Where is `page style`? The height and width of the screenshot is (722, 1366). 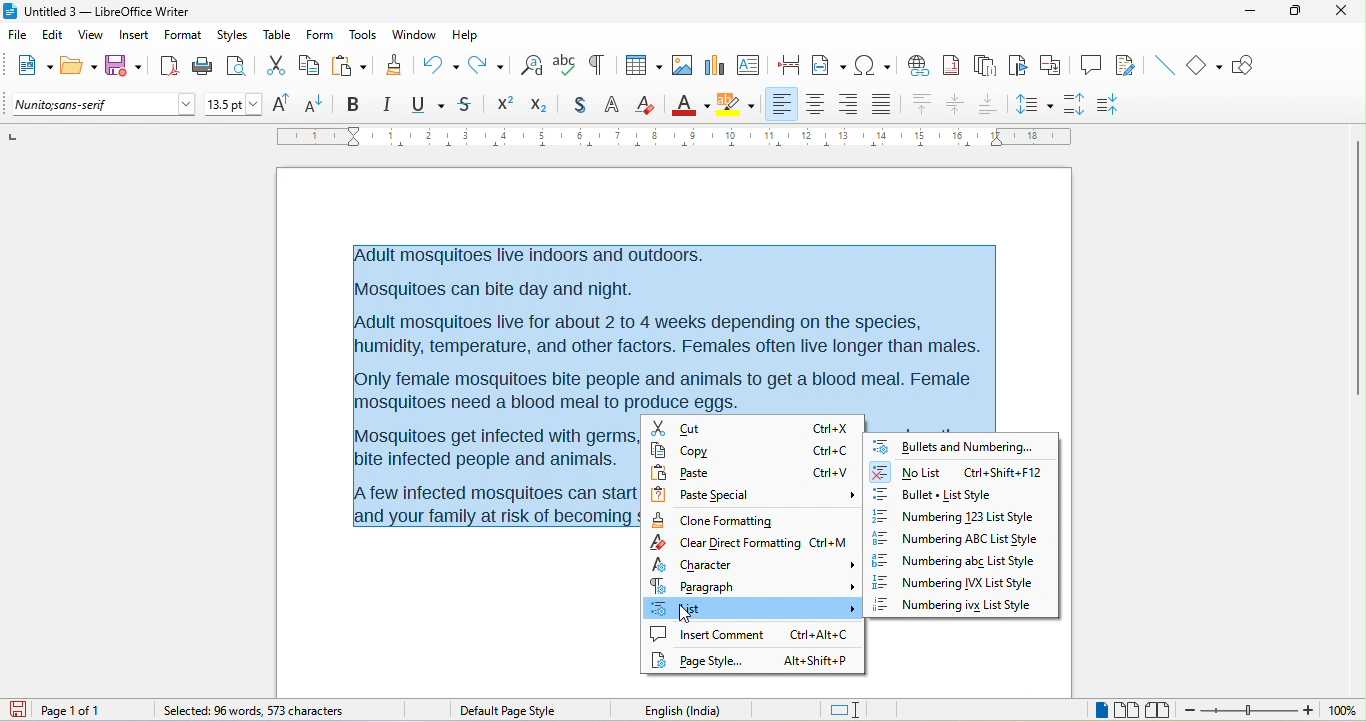 page style is located at coordinates (752, 660).